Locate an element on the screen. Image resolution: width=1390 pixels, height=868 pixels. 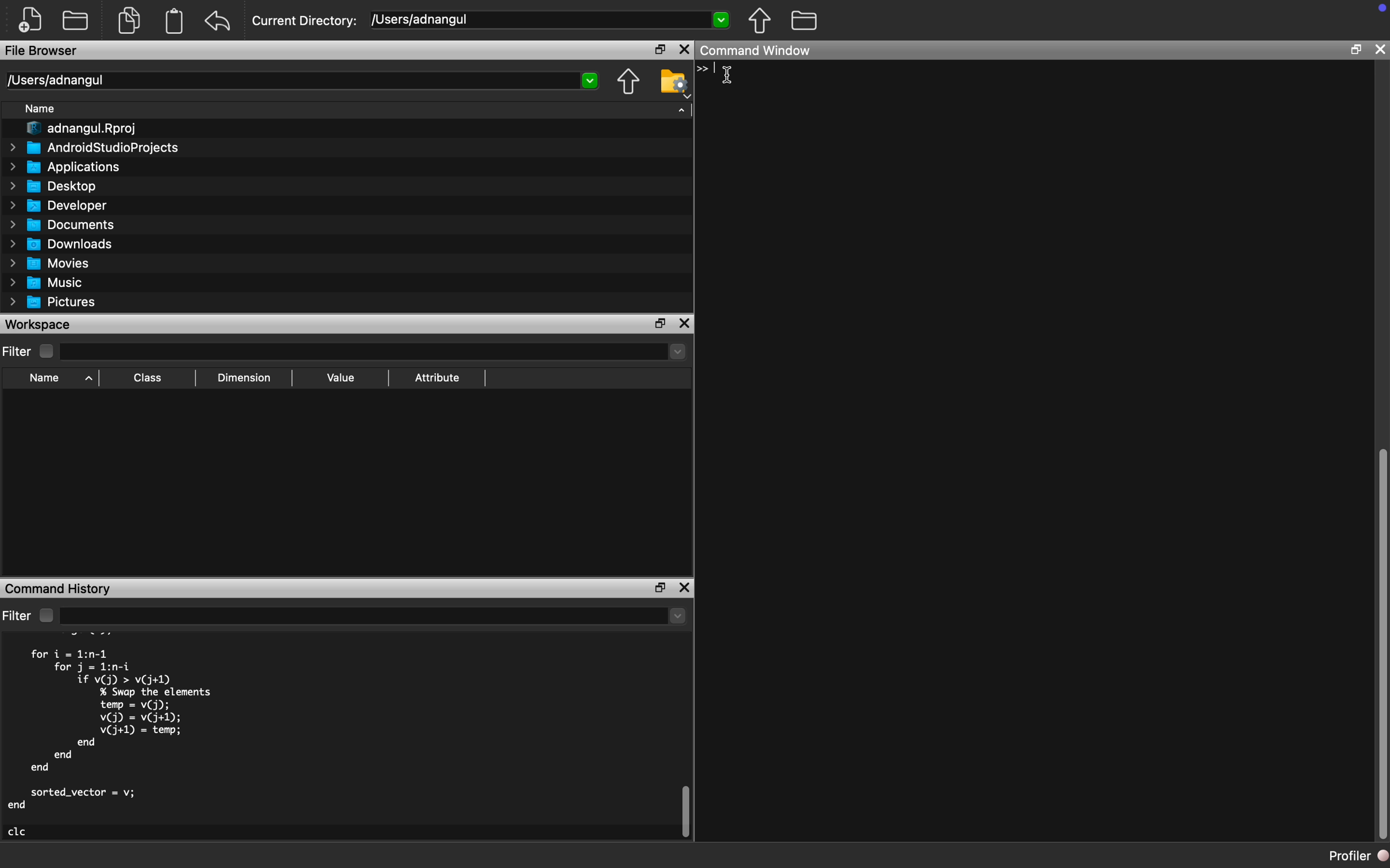
Copy is located at coordinates (129, 19).